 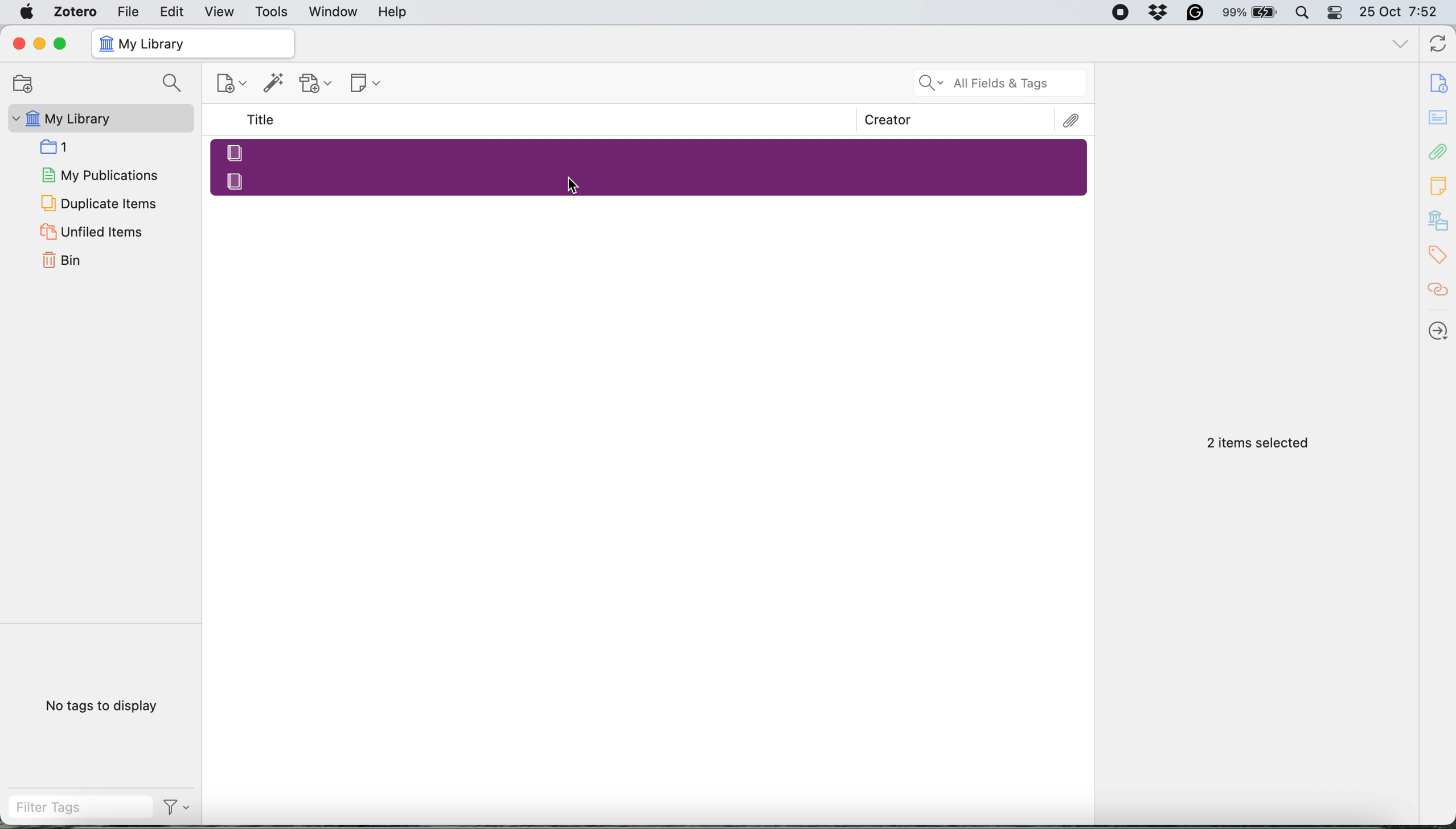 I want to click on Zotero, so click(x=76, y=11).